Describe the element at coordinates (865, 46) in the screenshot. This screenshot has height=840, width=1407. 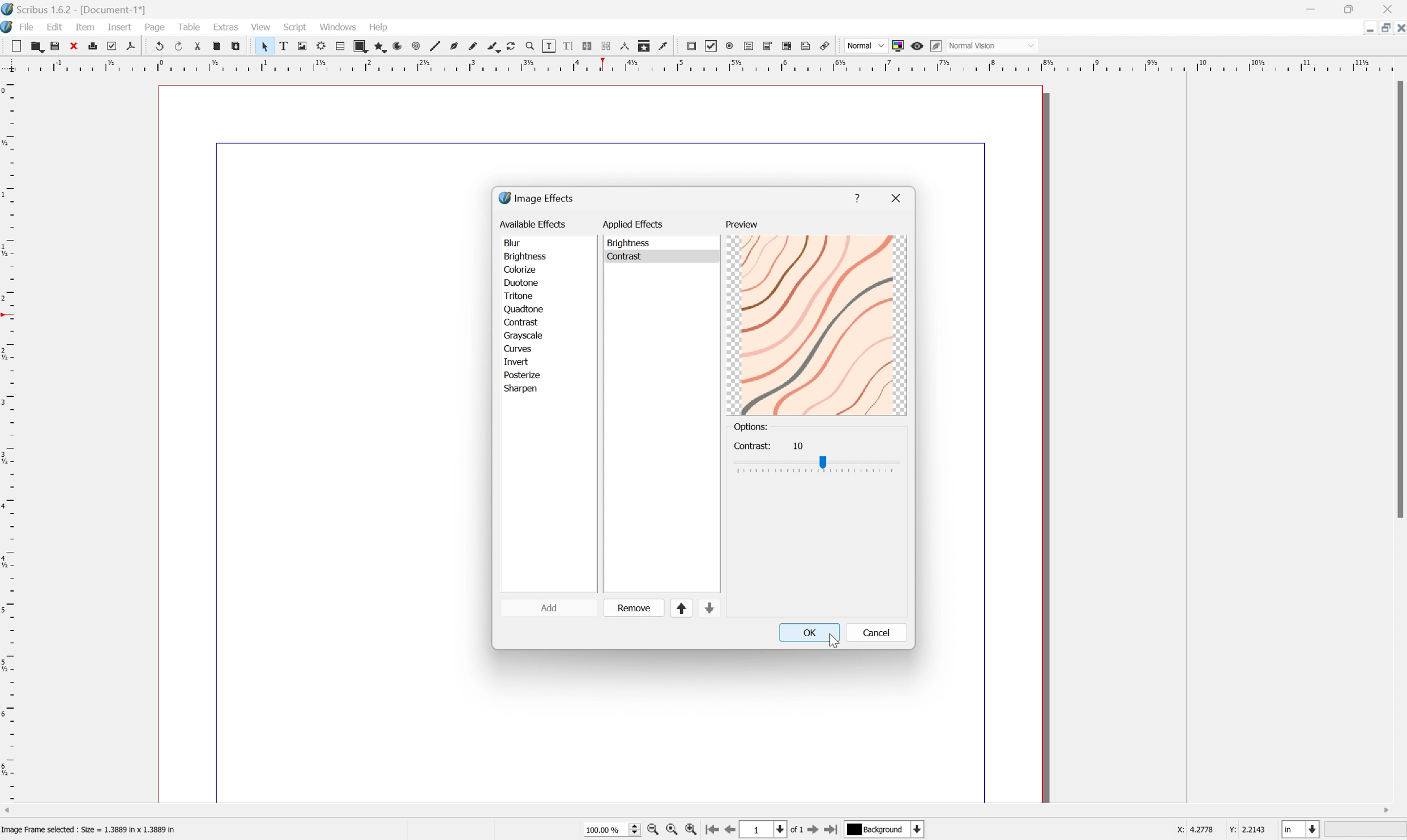
I see `Normal` at that location.